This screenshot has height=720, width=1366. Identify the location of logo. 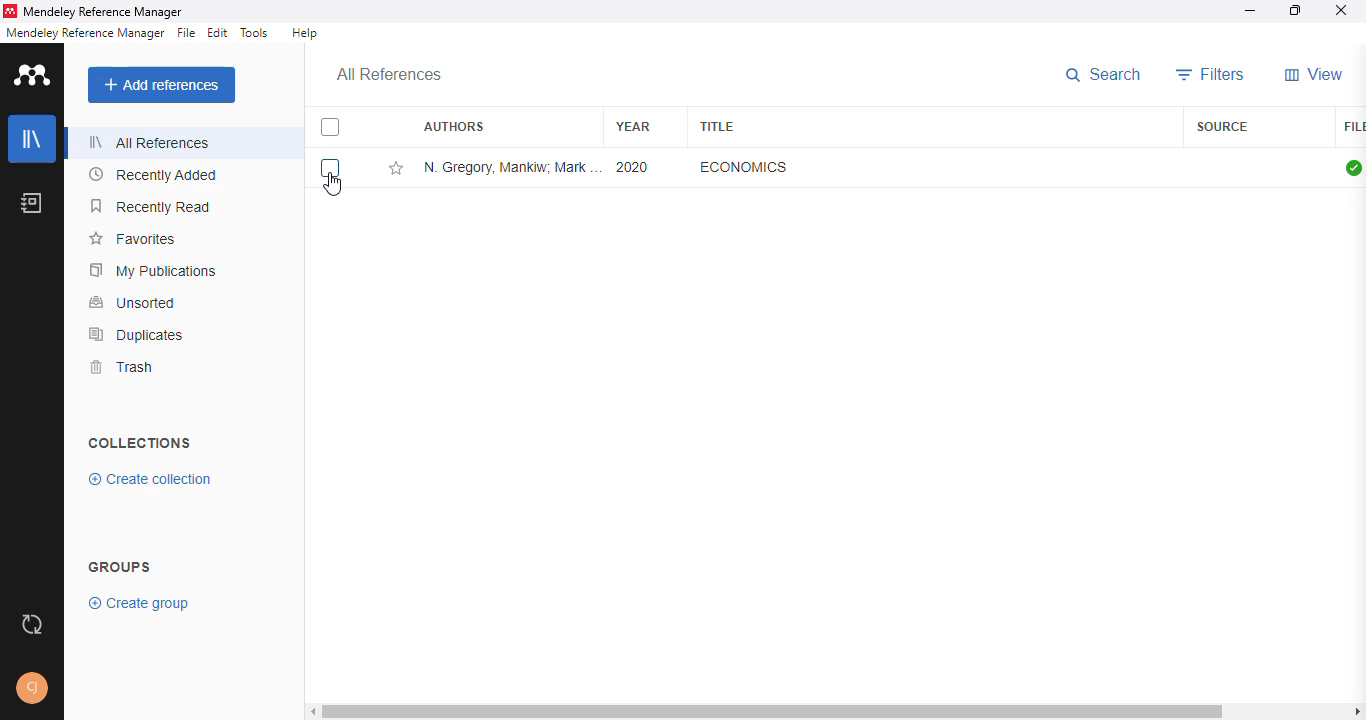
(32, 74).